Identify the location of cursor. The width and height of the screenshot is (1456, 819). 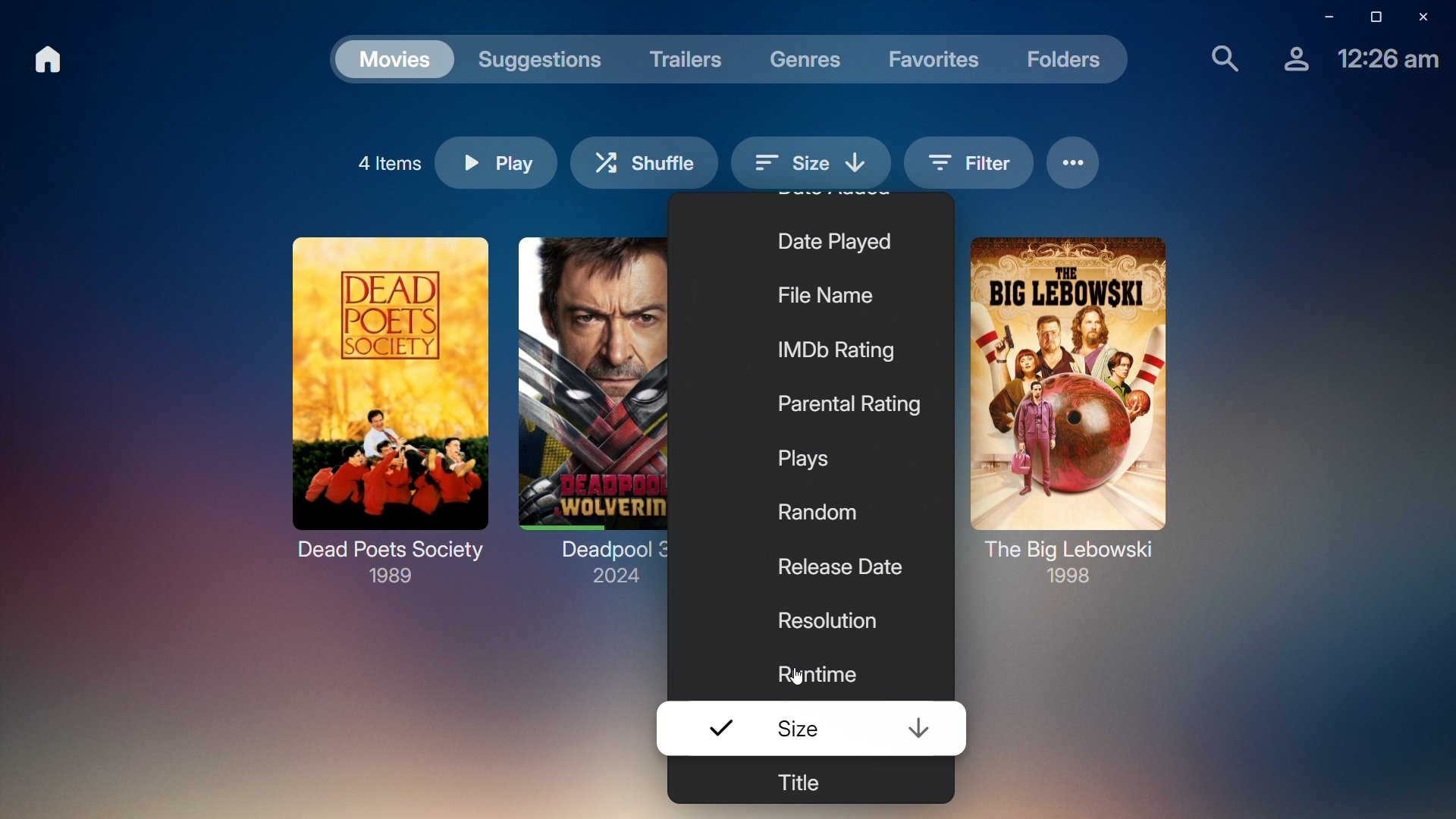
(794, 677).